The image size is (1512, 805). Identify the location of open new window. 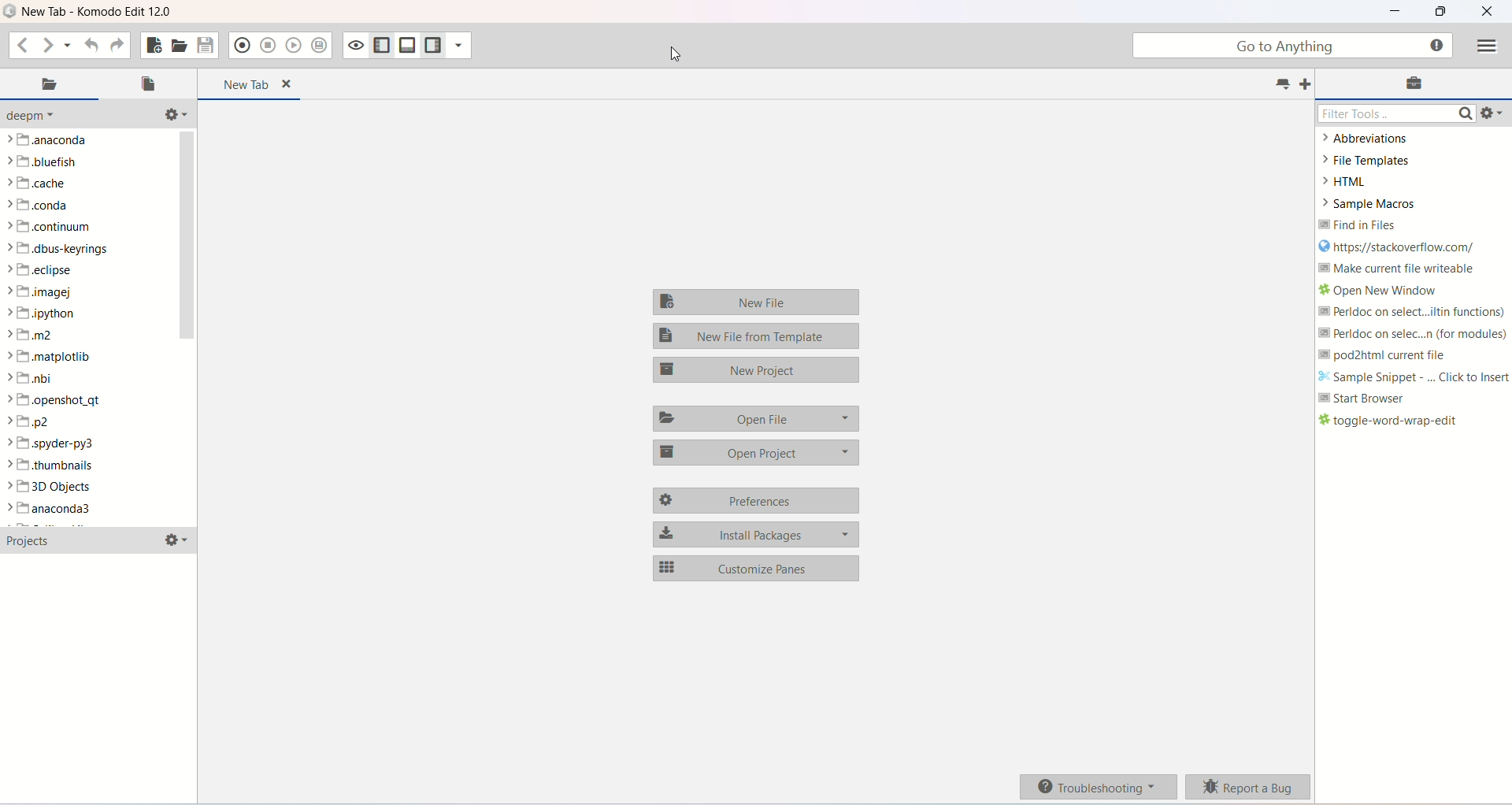
(1380, 289).